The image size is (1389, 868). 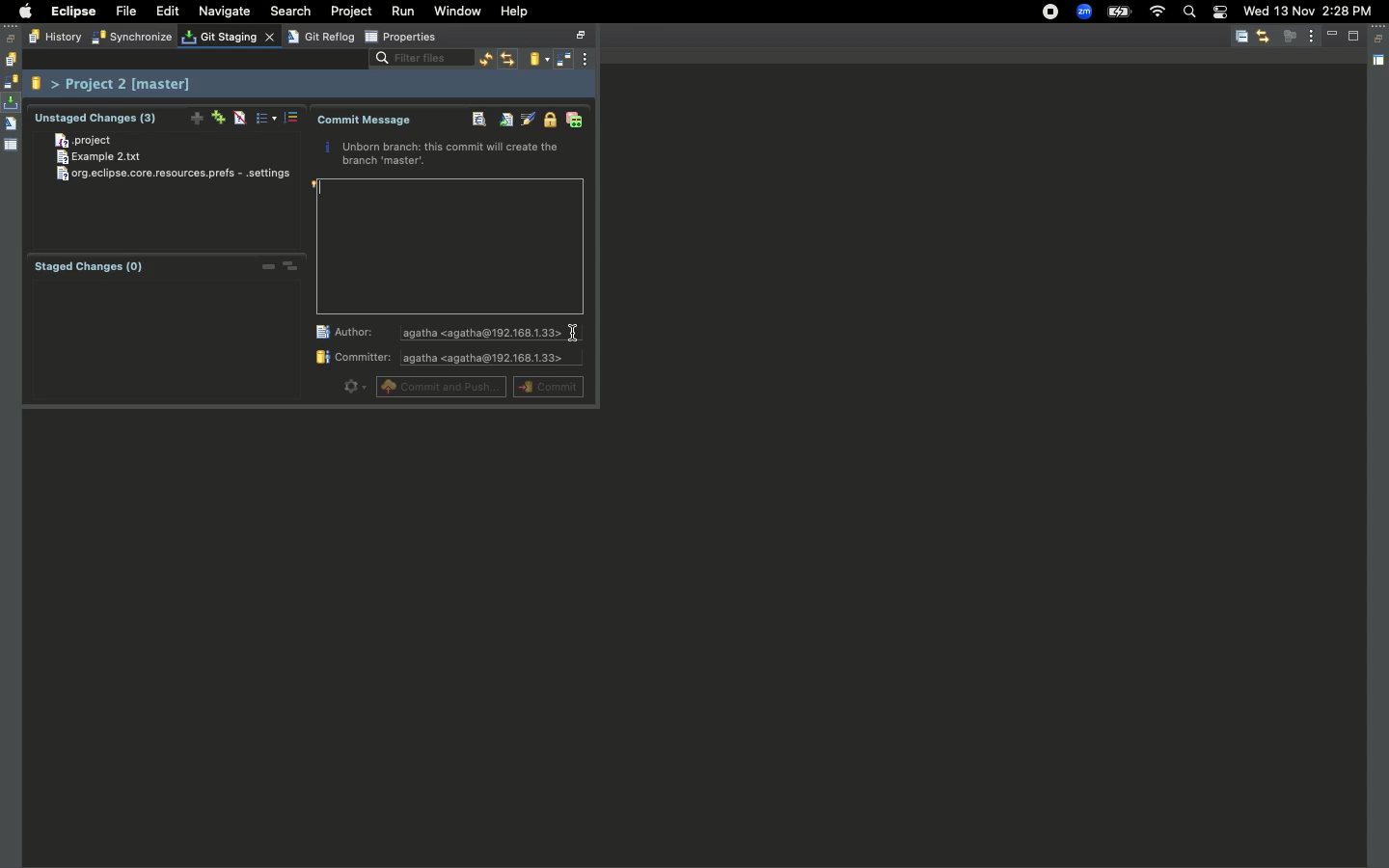 I want to click on Add change-id, so click(x=574, y=121).